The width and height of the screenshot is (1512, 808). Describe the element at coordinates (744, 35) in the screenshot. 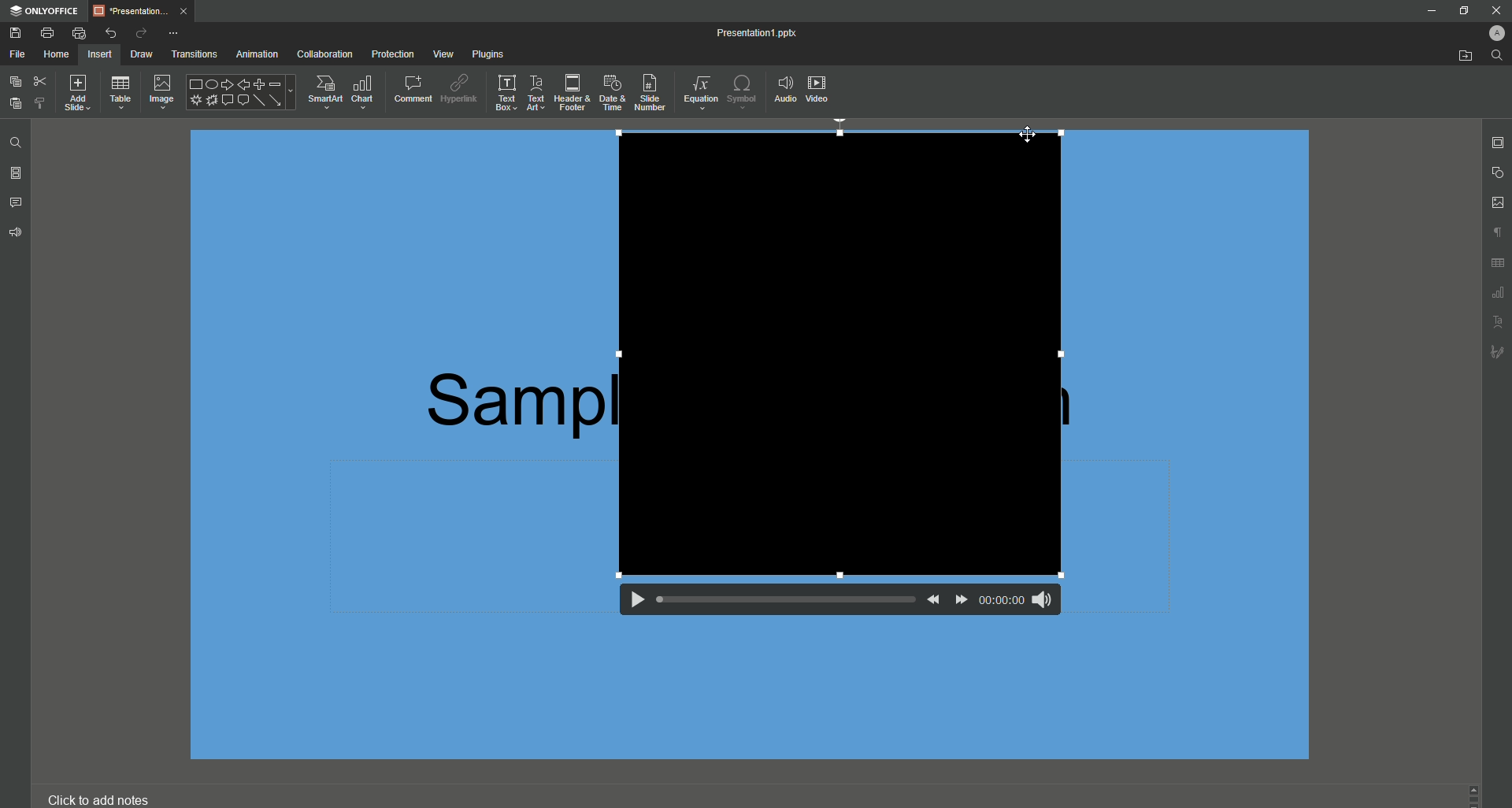

I see `Presentation1` at that location.